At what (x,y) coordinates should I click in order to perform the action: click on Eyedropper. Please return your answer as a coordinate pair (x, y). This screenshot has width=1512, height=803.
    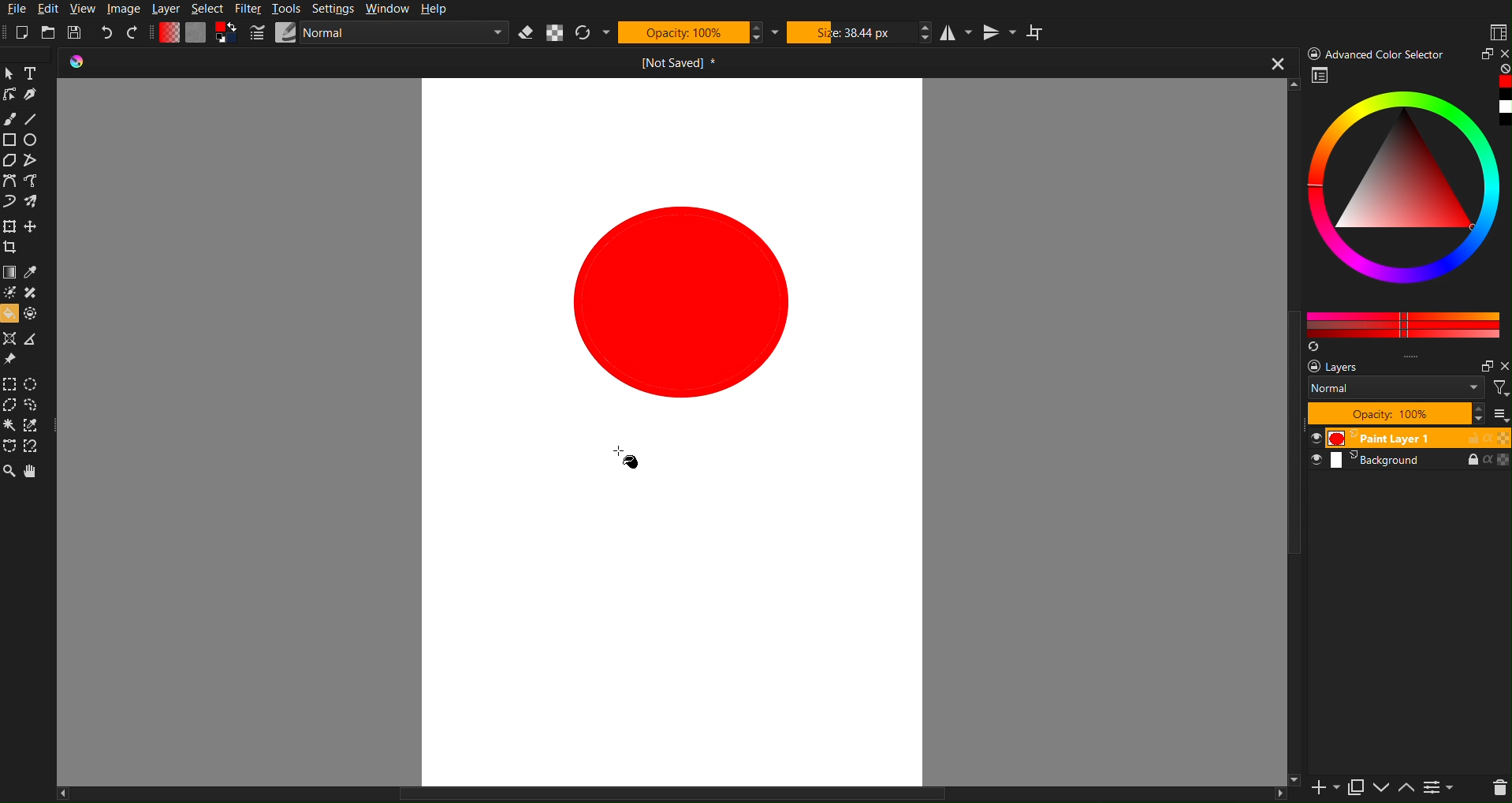
    Looking at the image, I should click on (33, 272).